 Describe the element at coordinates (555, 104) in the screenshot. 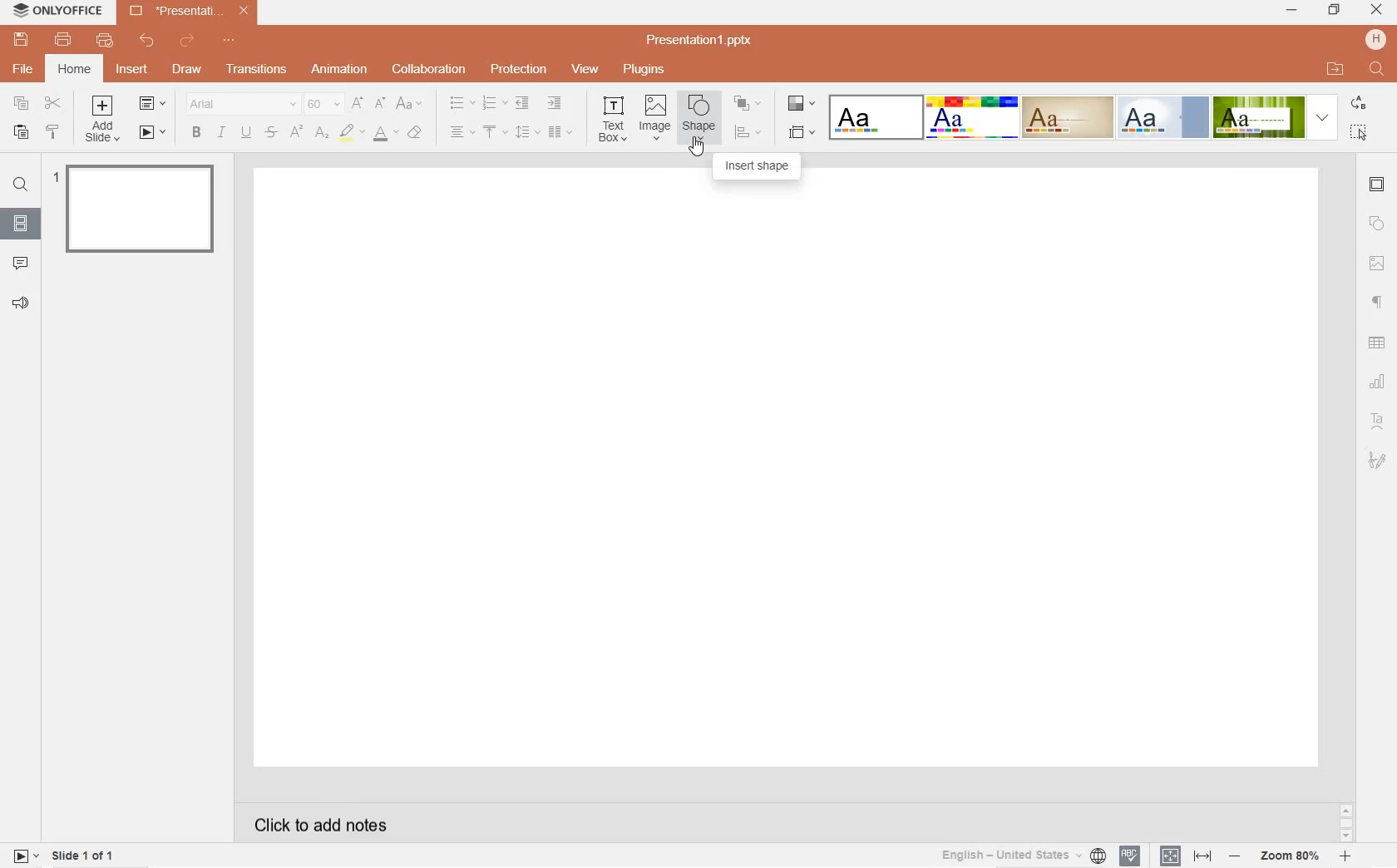

I see `increase indent` at that location.